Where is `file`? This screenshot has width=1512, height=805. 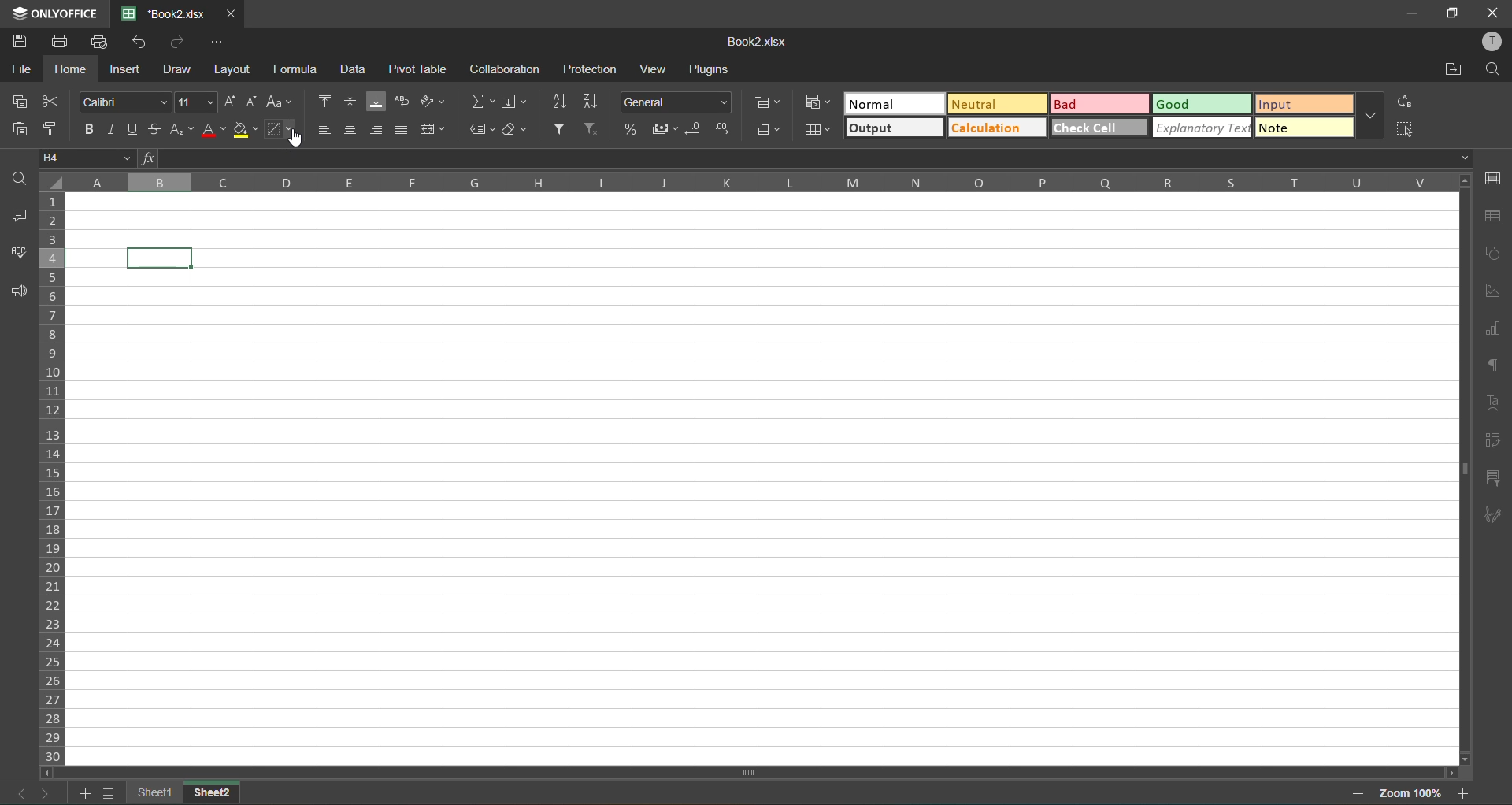 file is located at coordinates (25, 69).